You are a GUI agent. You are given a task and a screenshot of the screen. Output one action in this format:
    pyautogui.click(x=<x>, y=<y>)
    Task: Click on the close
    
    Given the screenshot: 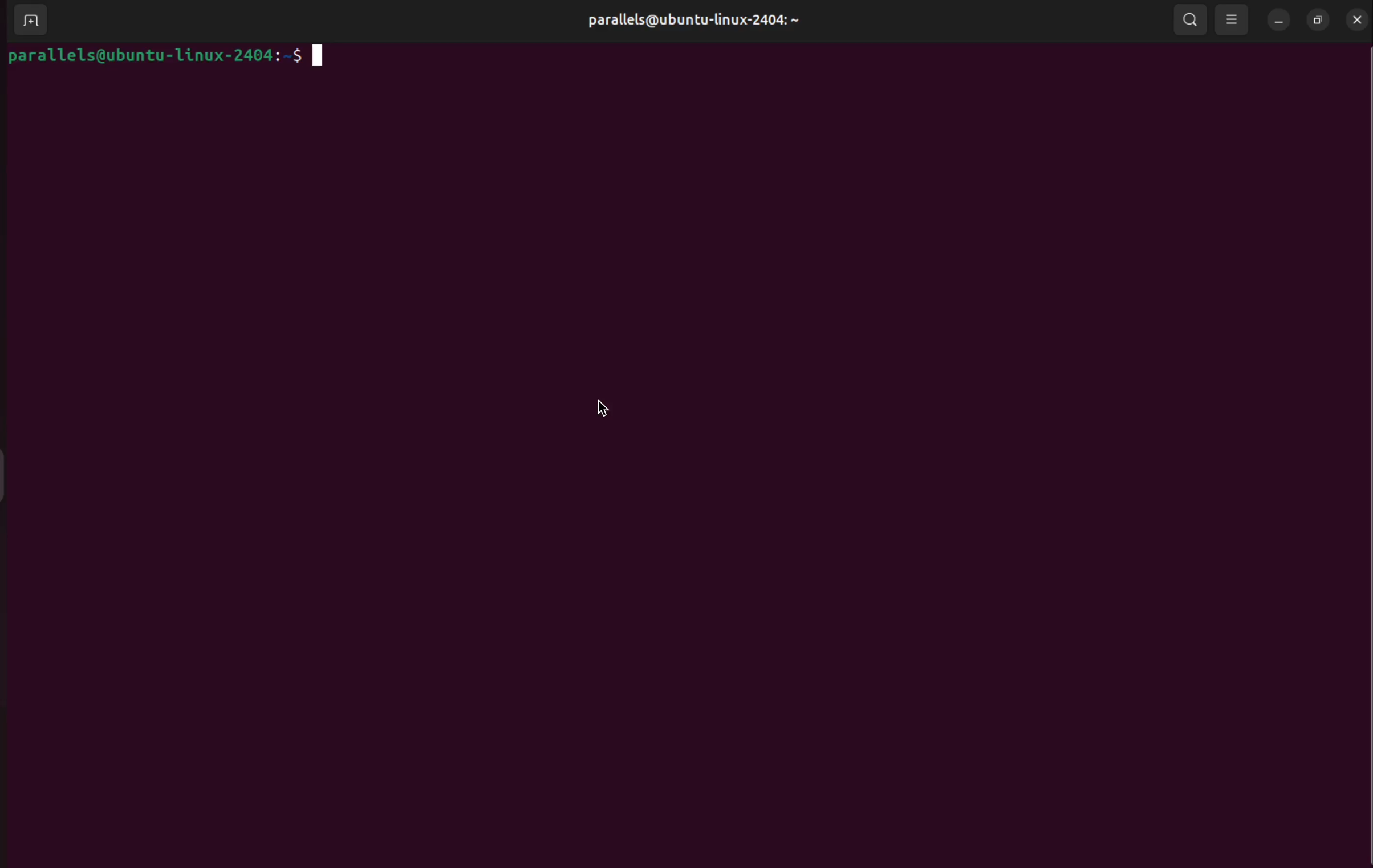 What is the action you would take?
    pyautogui.click(x=1354, y=20)
    